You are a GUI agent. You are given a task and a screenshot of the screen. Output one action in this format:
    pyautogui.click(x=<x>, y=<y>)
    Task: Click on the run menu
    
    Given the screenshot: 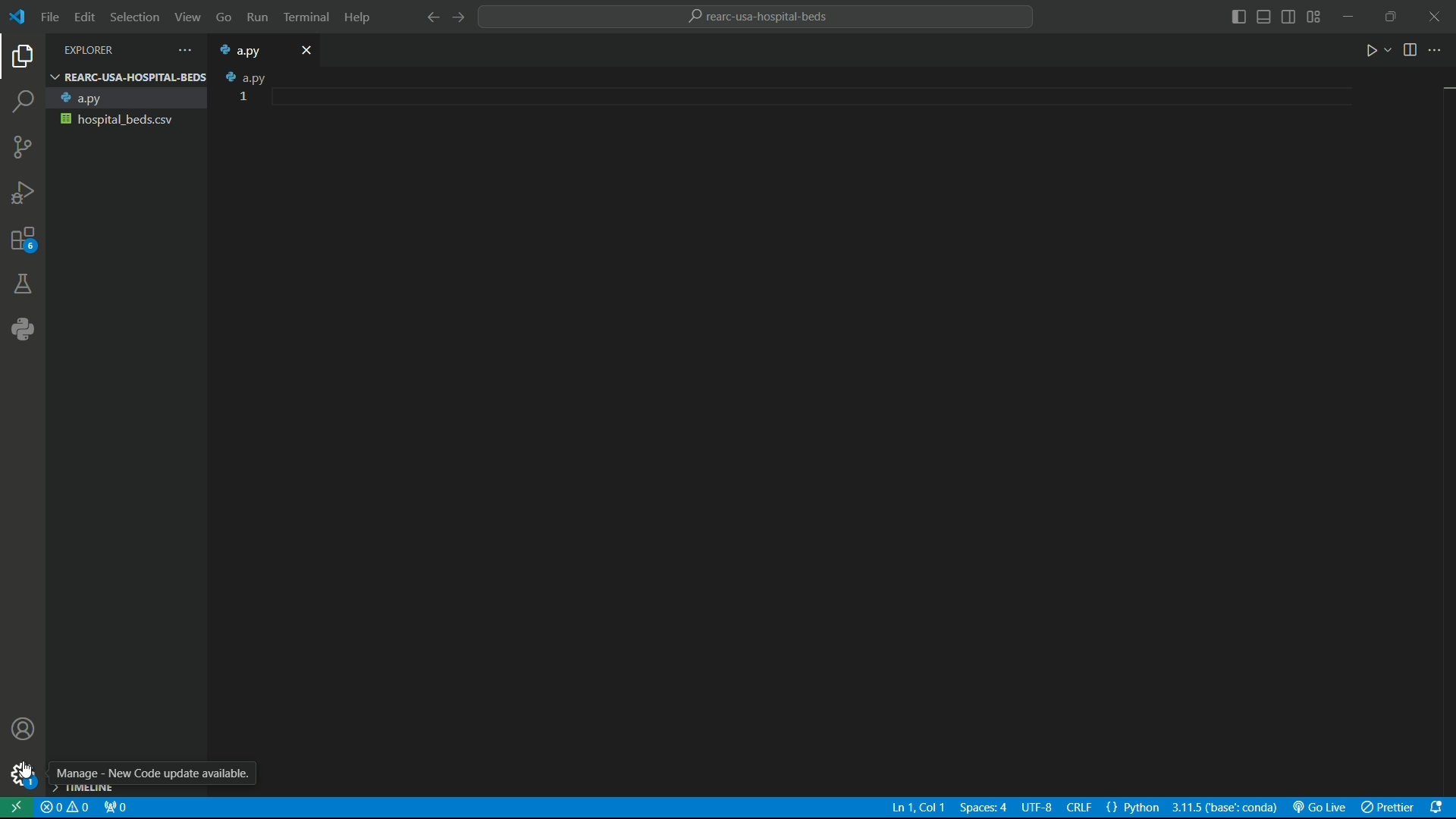 What is the action you would take?
    pyautogui.click(x=256, y=18)
    